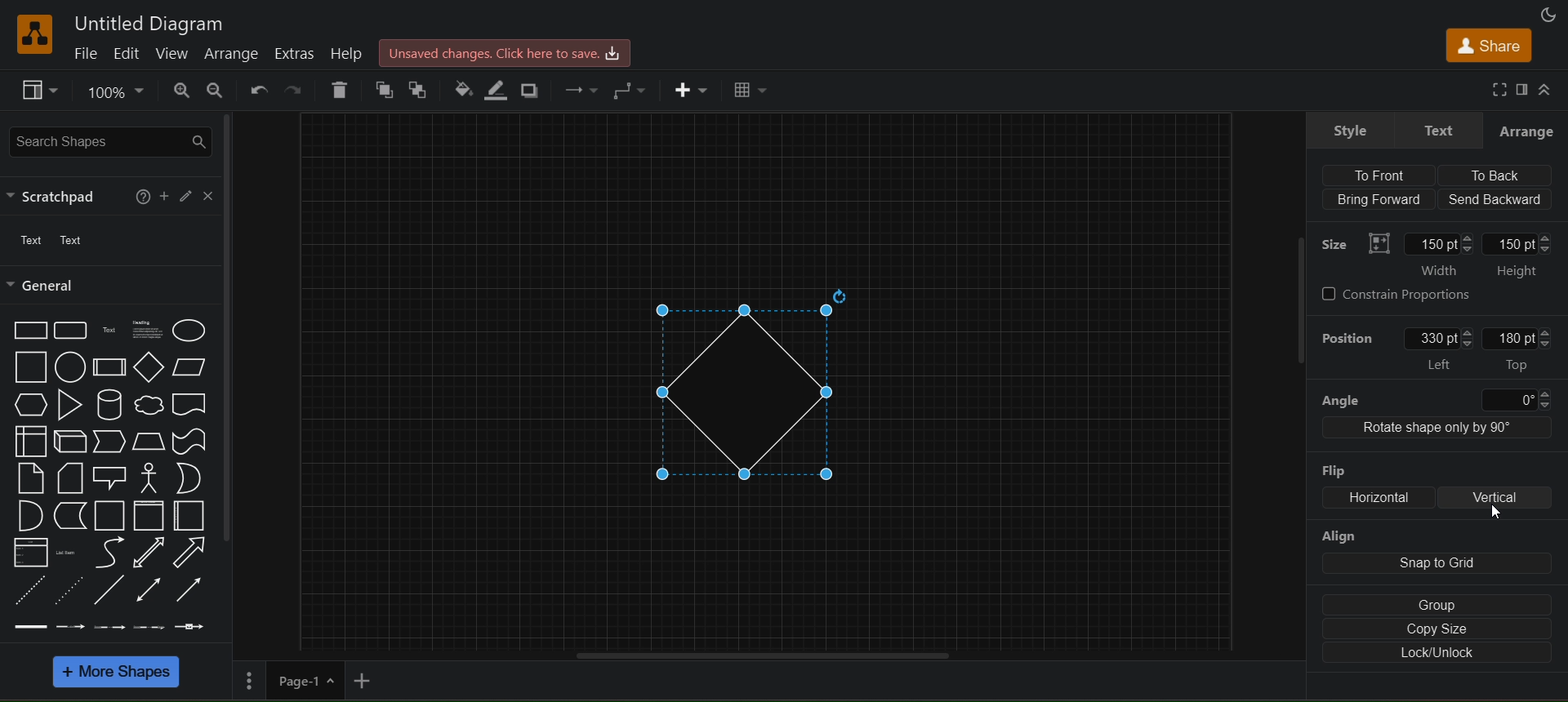  Describe the element at coordinates (149, 406) in the screenshot. I see `cloud` at that location.